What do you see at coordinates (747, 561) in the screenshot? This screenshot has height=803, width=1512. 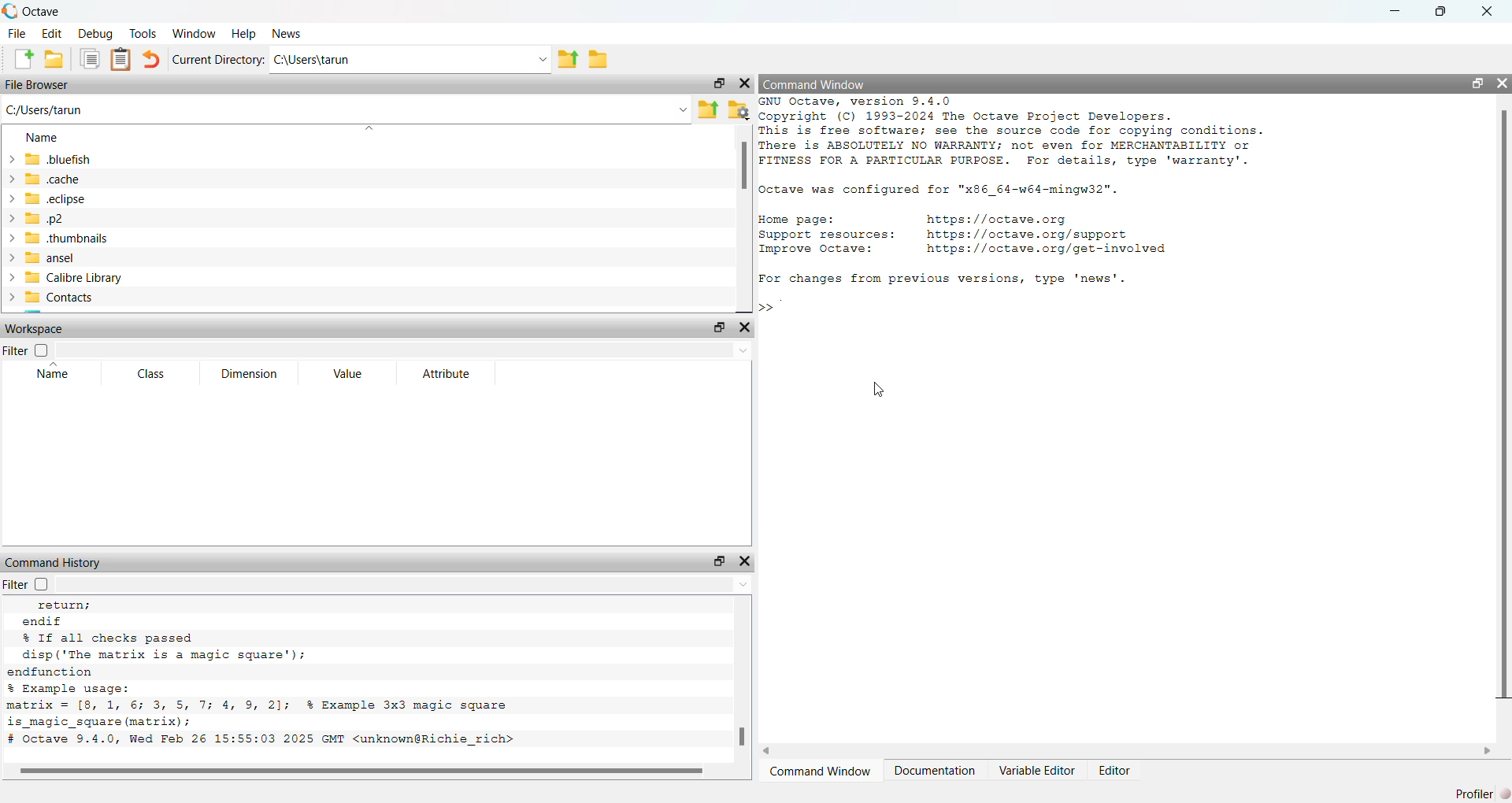 I see `close` at bounding box center [747, 561].